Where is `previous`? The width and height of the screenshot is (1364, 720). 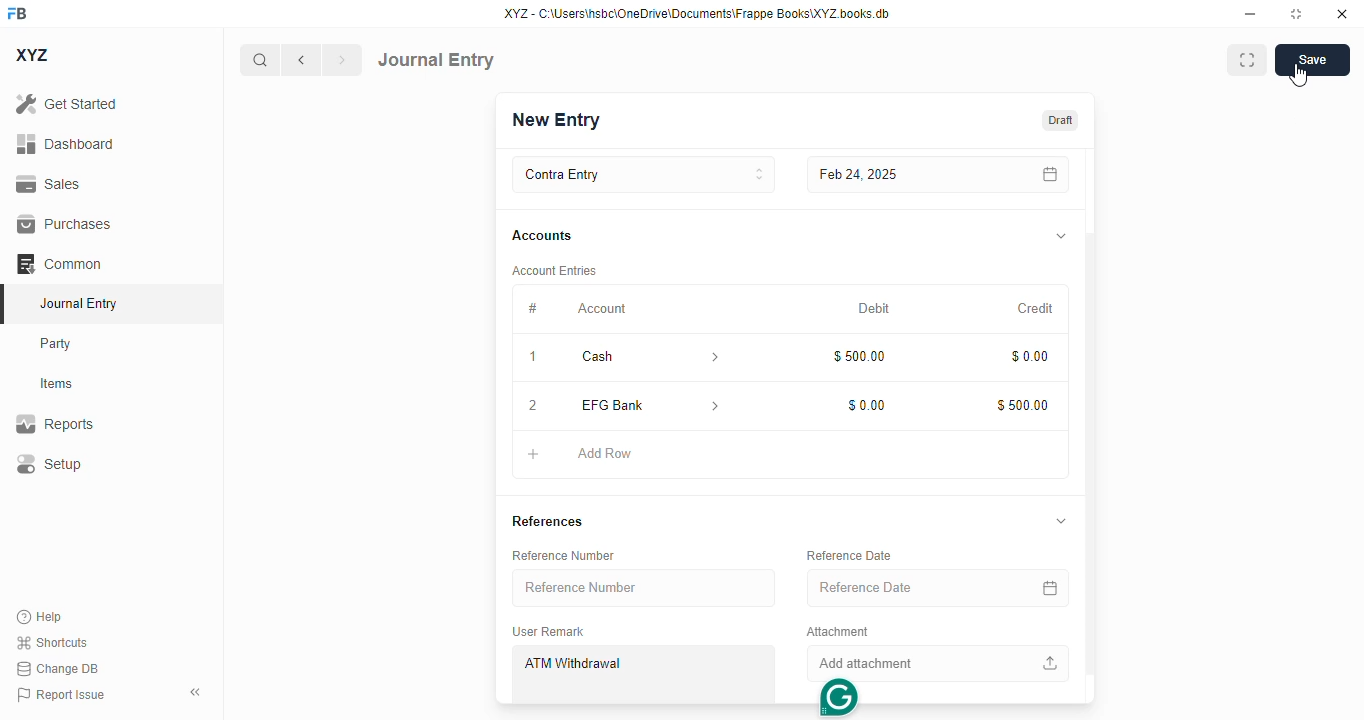
previous is located at coordinates (301, 60).